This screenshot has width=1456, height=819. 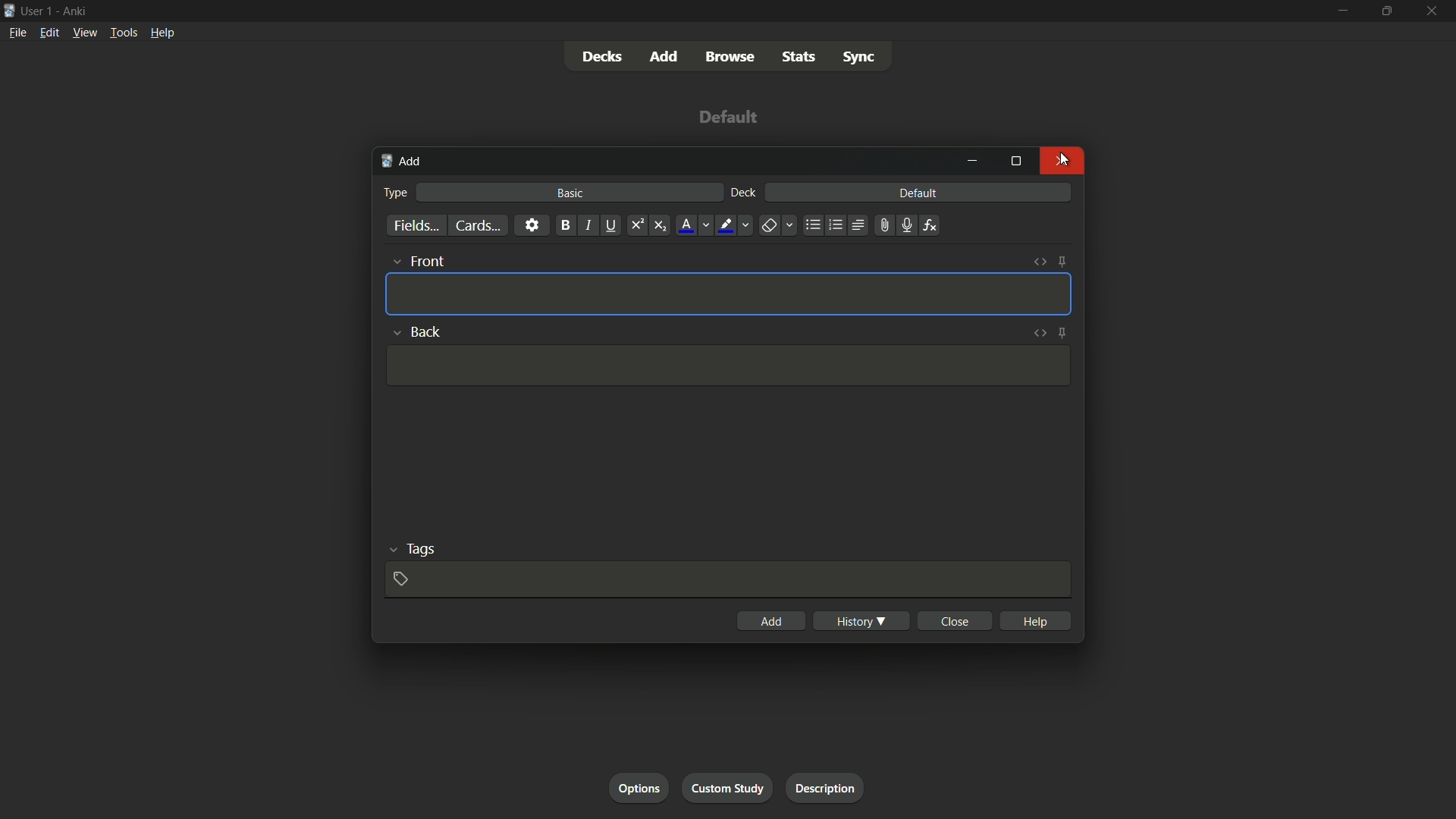 I want to click on unordered list, so click(x=814, y=225).